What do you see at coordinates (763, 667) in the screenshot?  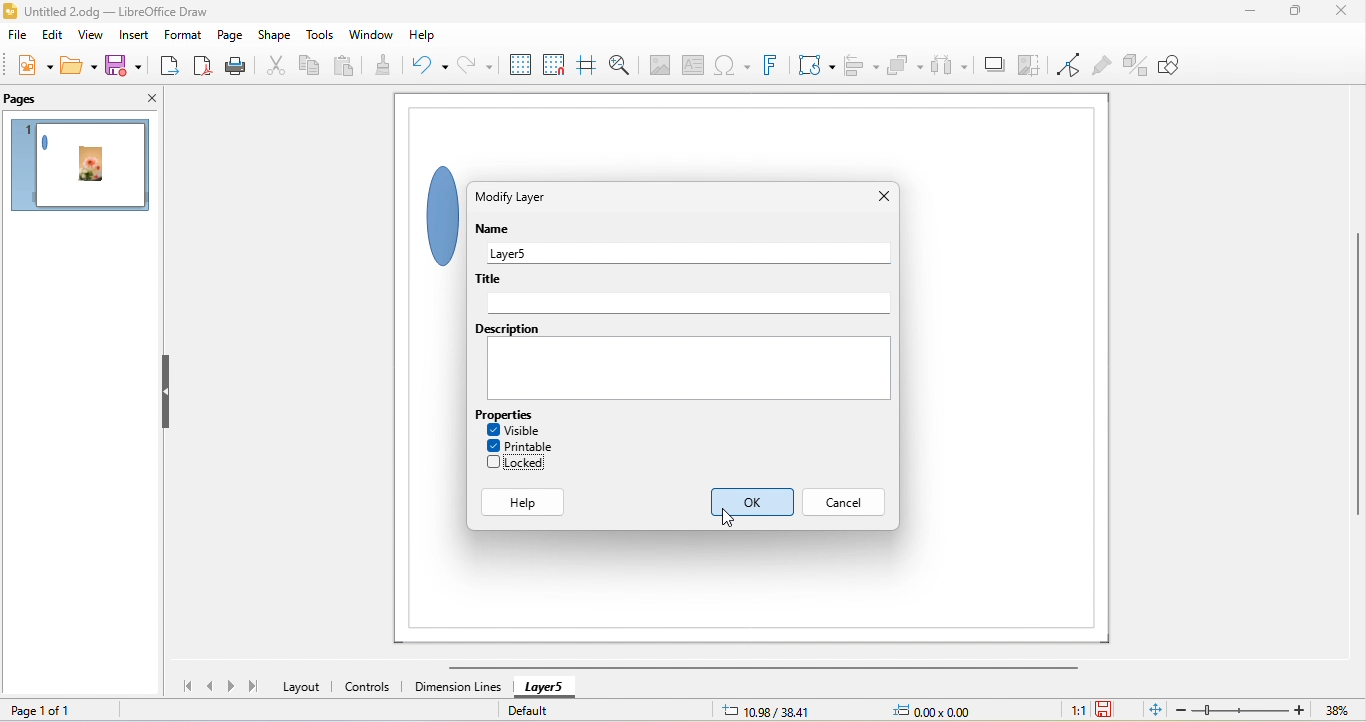 I see `horizontal scroll bar` at bounding box center [763, 667].